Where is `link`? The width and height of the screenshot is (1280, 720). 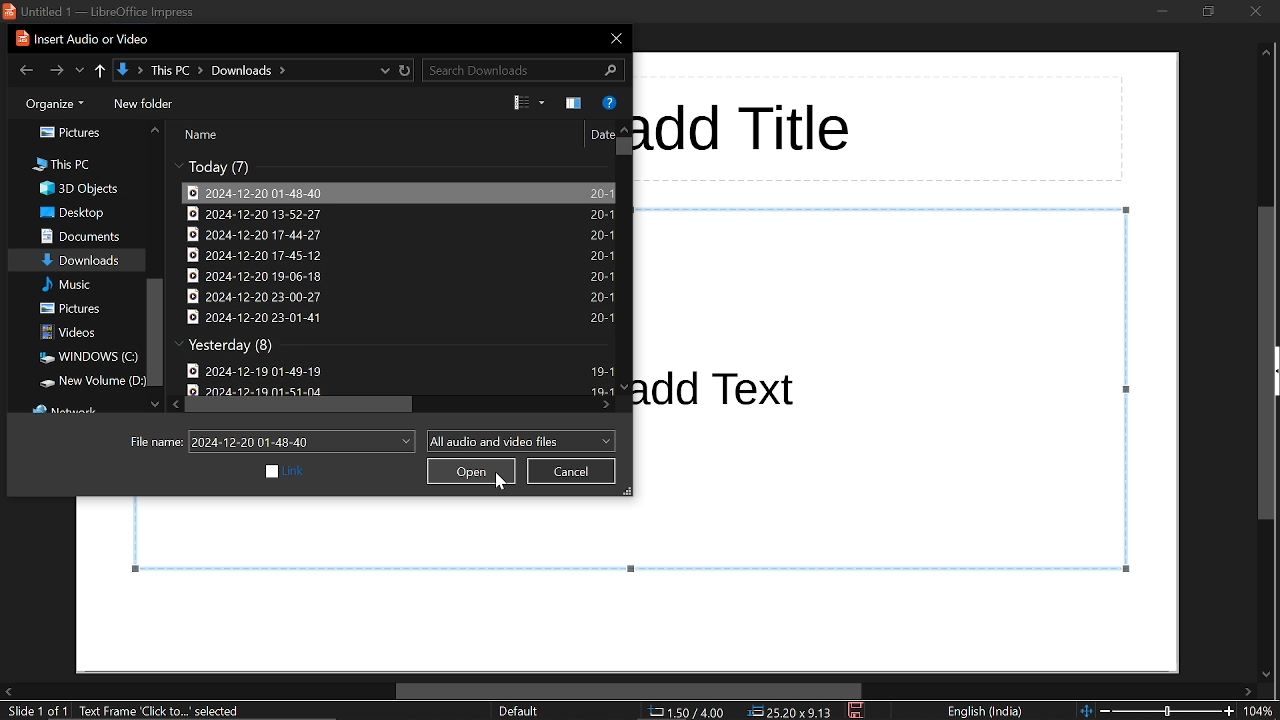
link is located at coordinates (283, 473).